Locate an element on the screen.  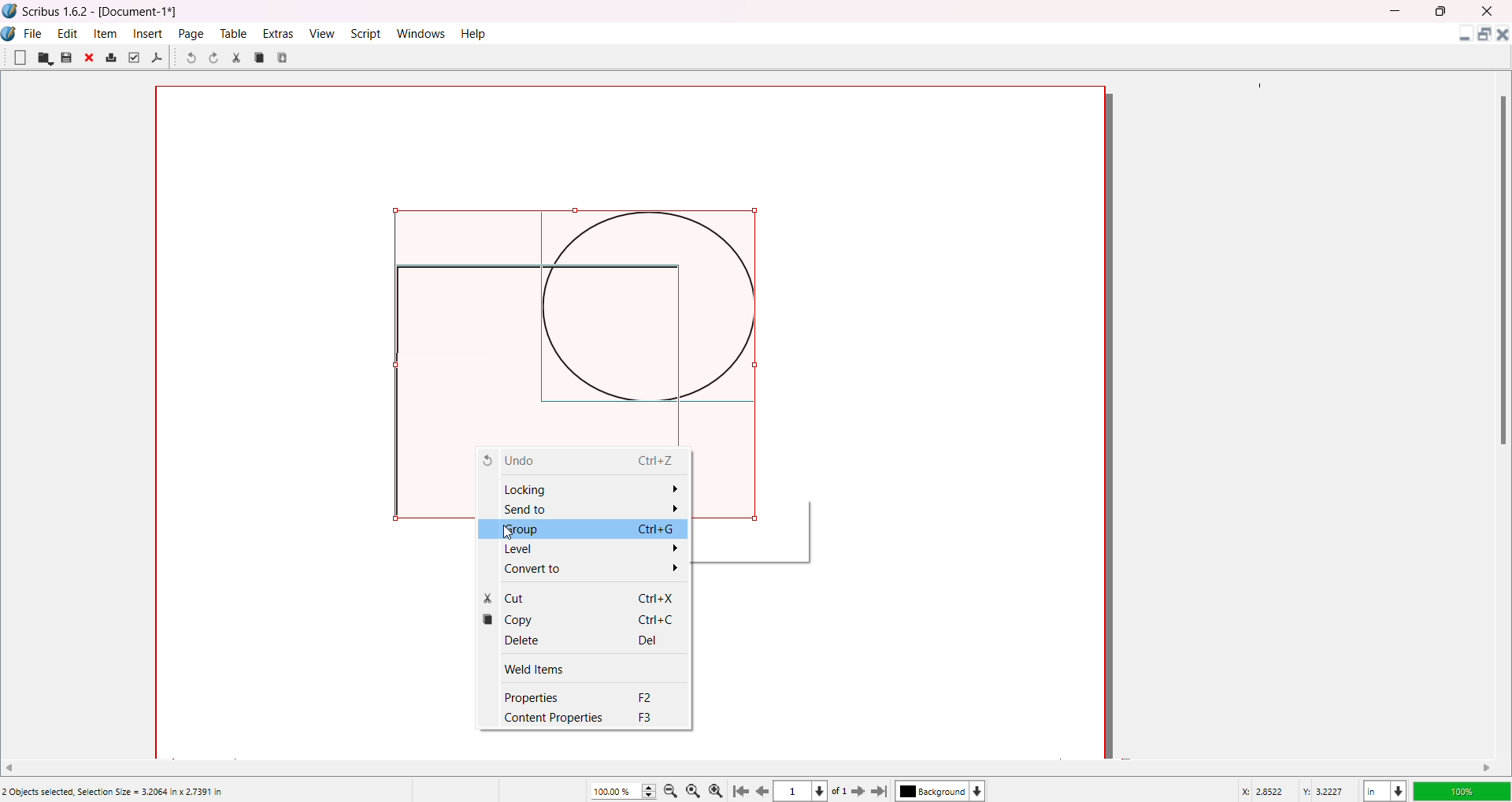
New is located at coordinates (20, 57).